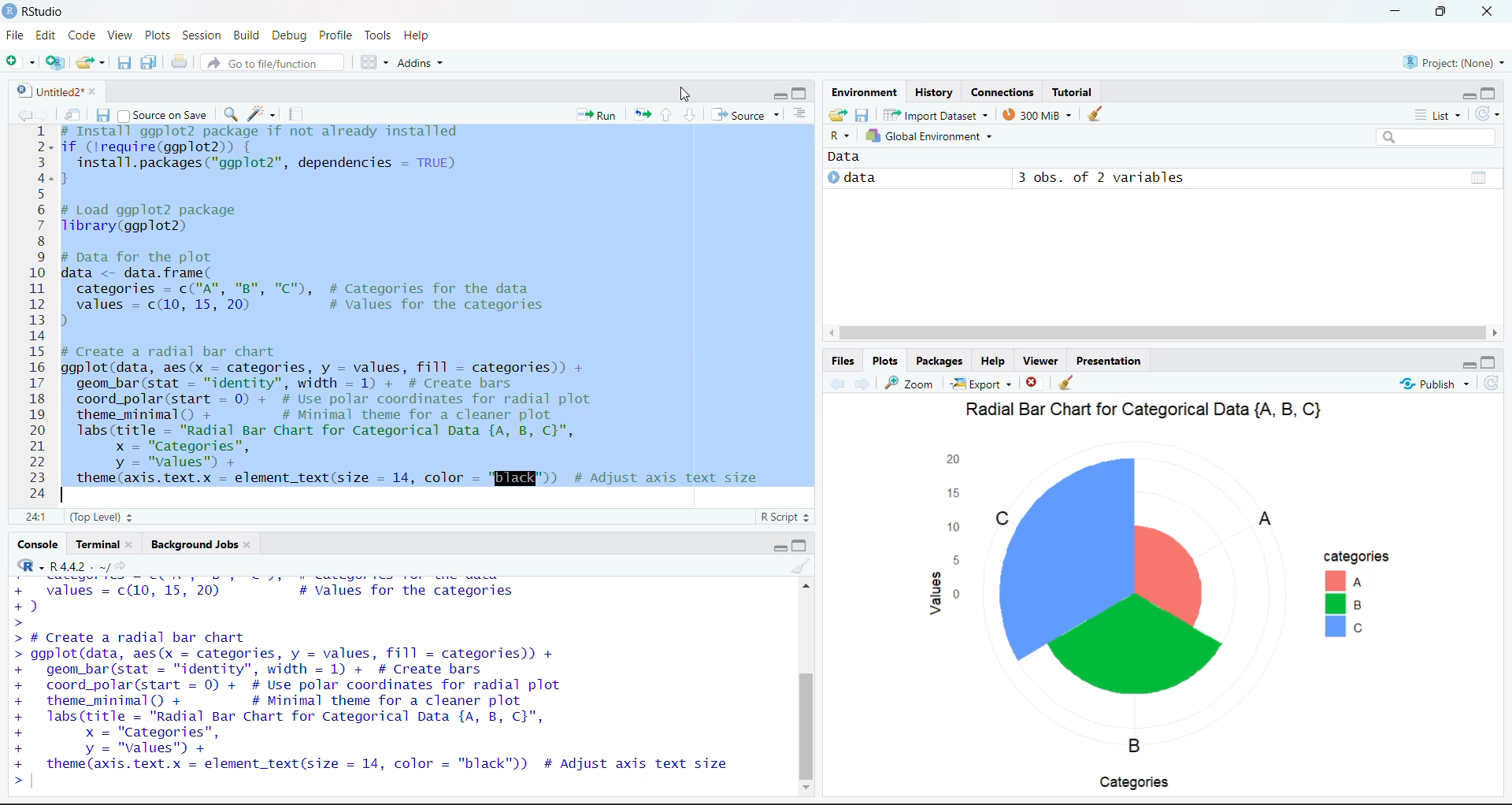 Image resolution: width=1512 pixels, height=805 pixels. I want to click on Debug, so click(289, 35).